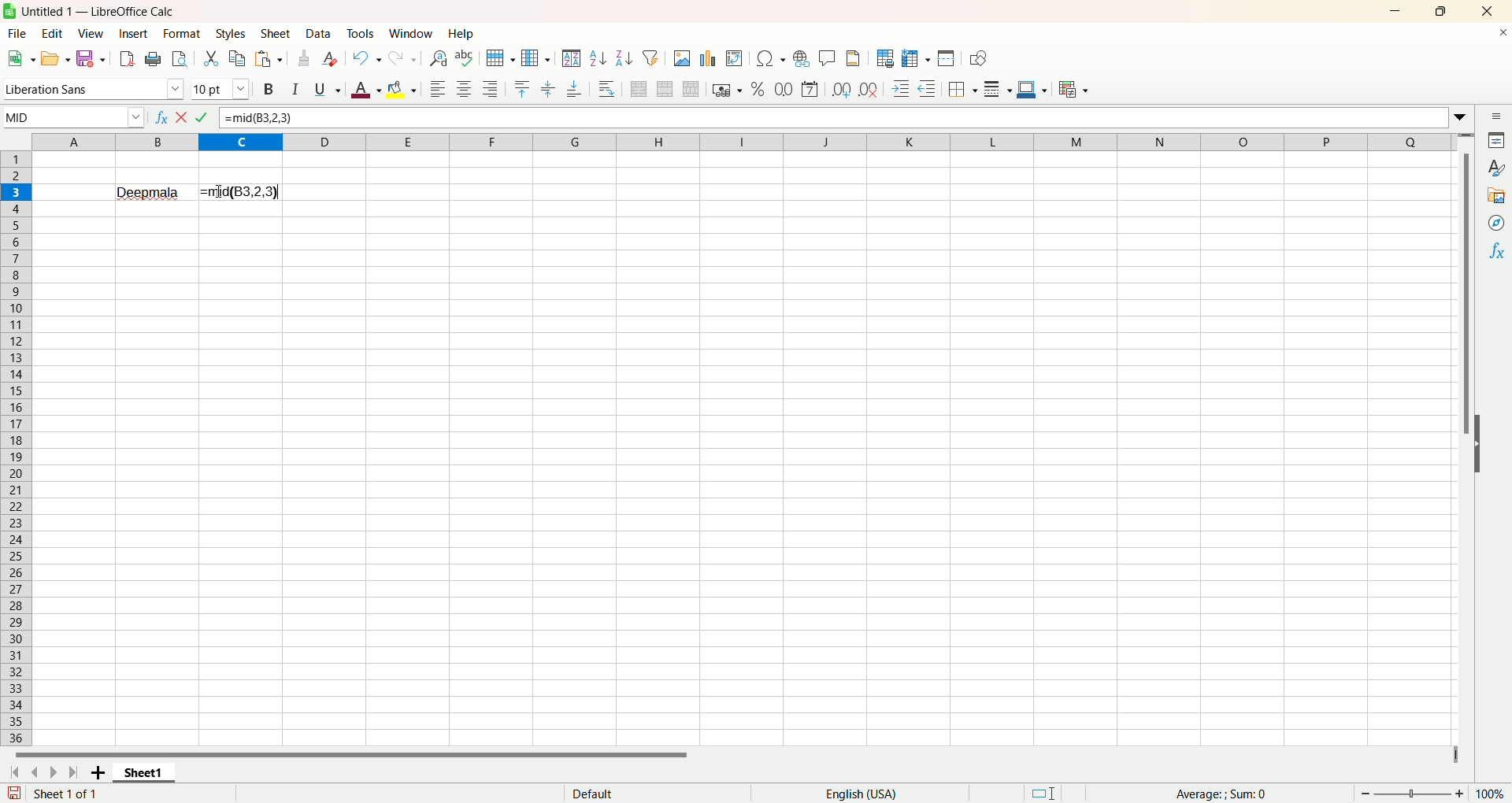 The image size is (1512, 803). What do you see at coordinates (366, 89) in the screenshot?
I see `Font color` at bounding box center [366, 89].